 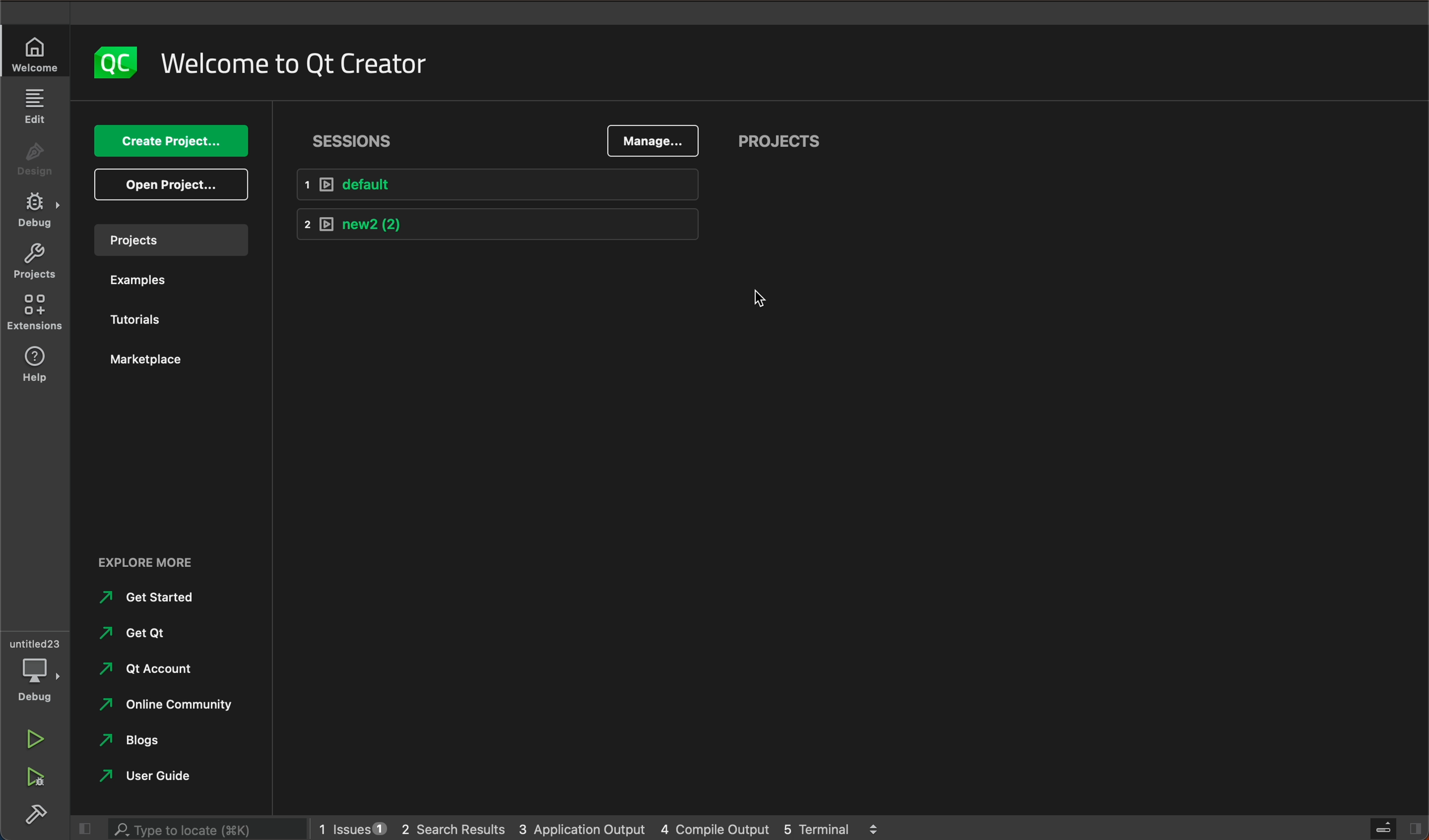 I want to click on run, so click(x=35, y=740).